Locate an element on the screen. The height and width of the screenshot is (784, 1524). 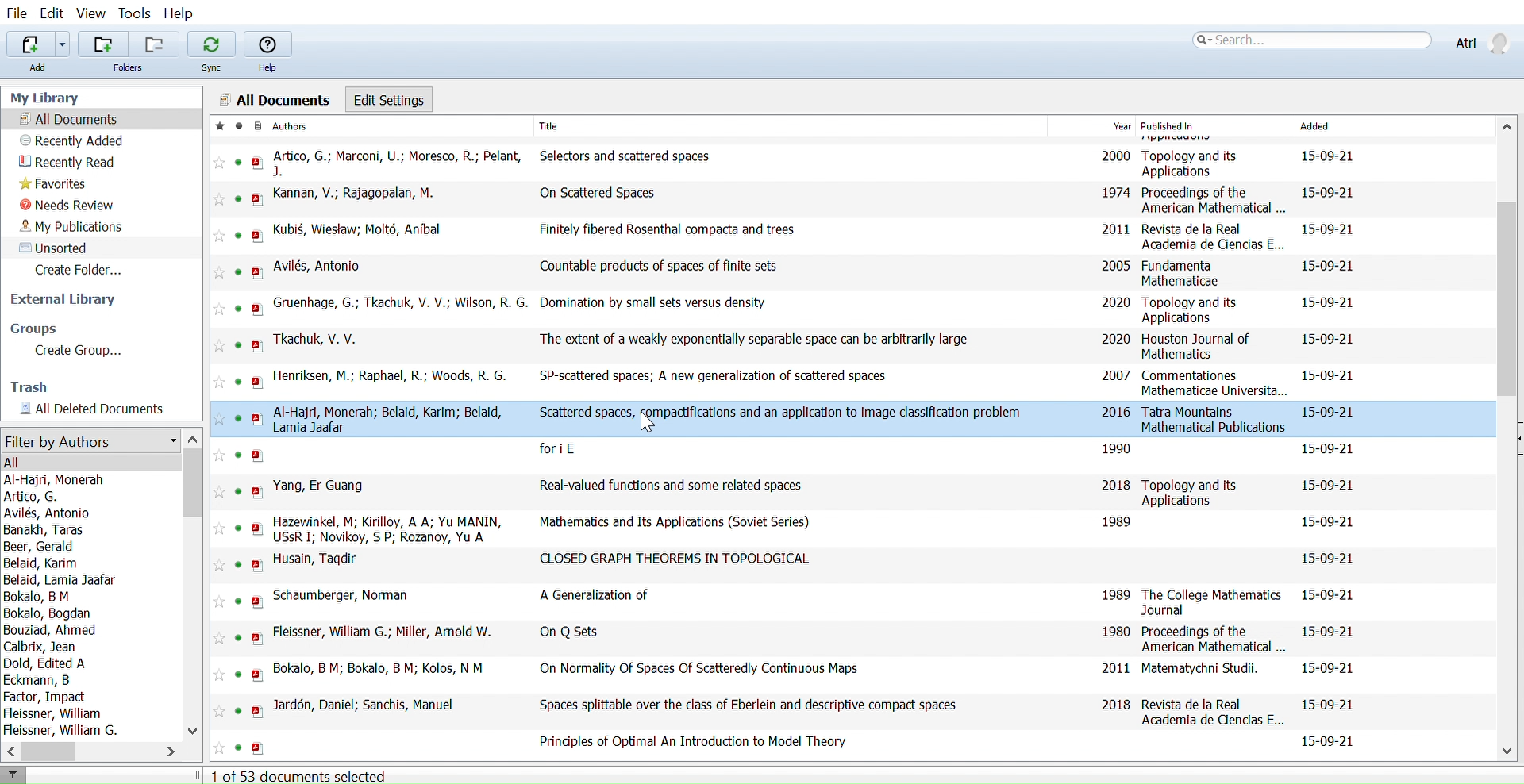
Revista de la Real Academia de Ciencias E... is located at coordinates (1214, 712).